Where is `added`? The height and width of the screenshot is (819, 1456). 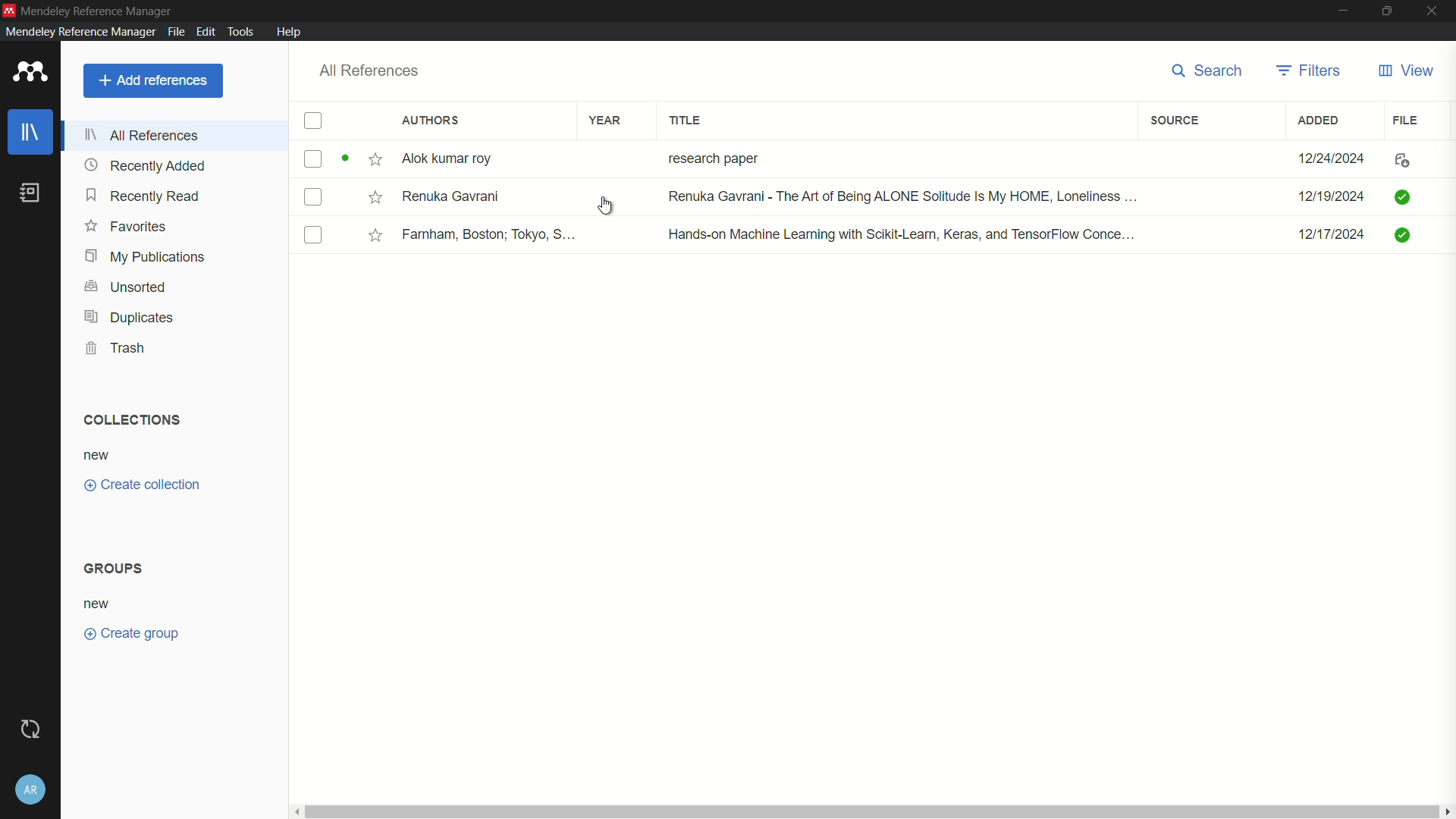 added is located at coordinates (1319, 121).